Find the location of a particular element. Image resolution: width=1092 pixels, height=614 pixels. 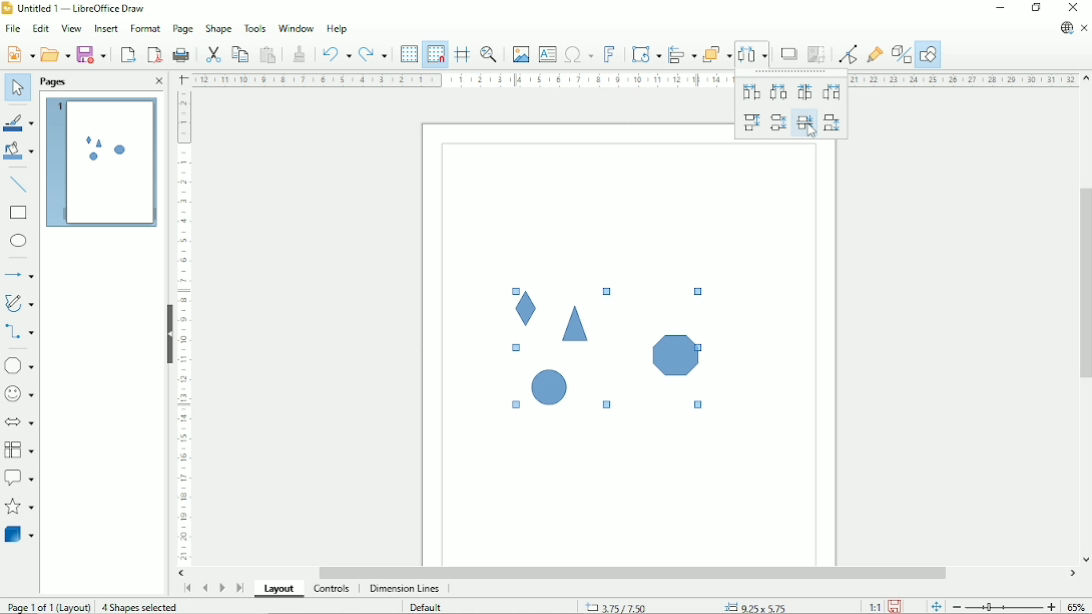

Zoom factor is located at coordinates (1078, 606).